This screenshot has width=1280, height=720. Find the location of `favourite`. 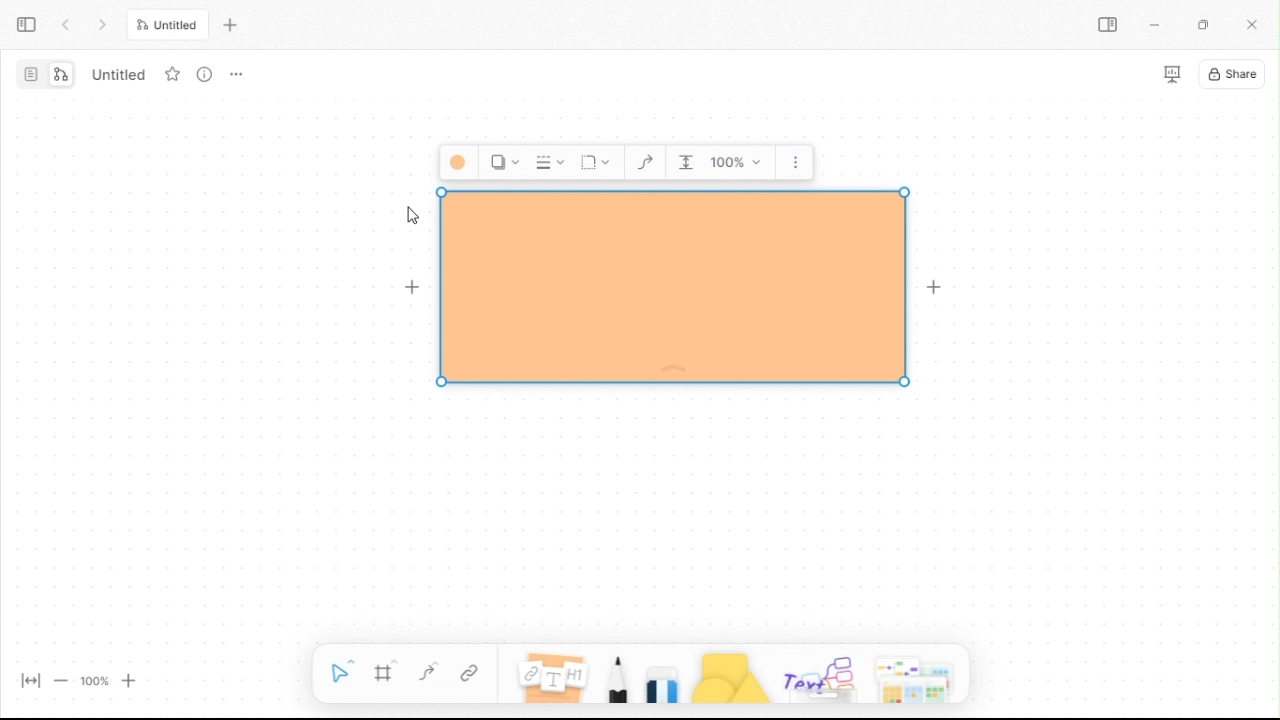

favourite is located at coordinates (172, 73).